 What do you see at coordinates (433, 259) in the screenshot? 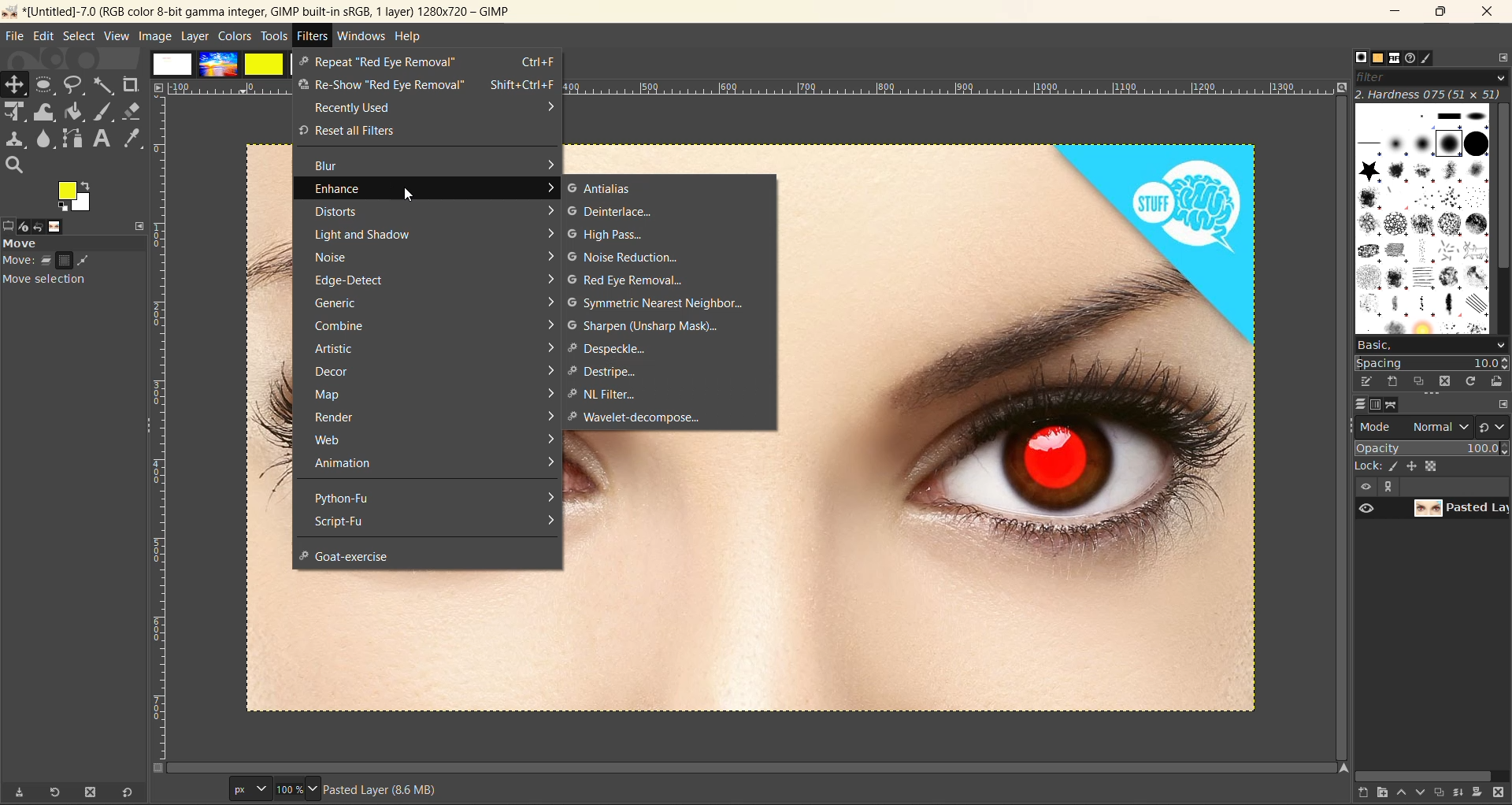
I see `noise` at bounding box center [433, 259].